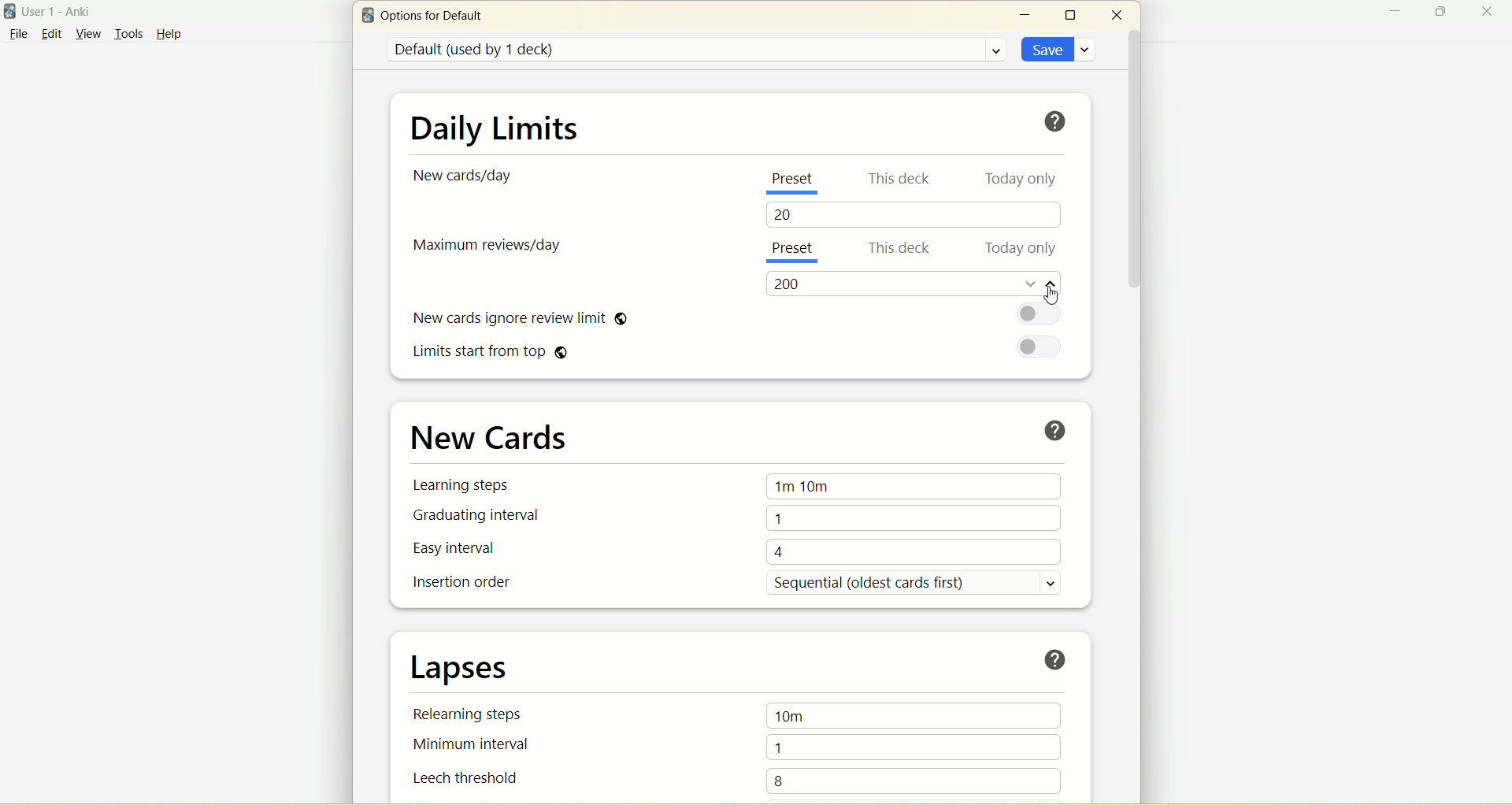 The height and width of the screenshot is (805, 1512). Describe the element at coordinates (88, 35) in the screenshot. I see `view` at that location.